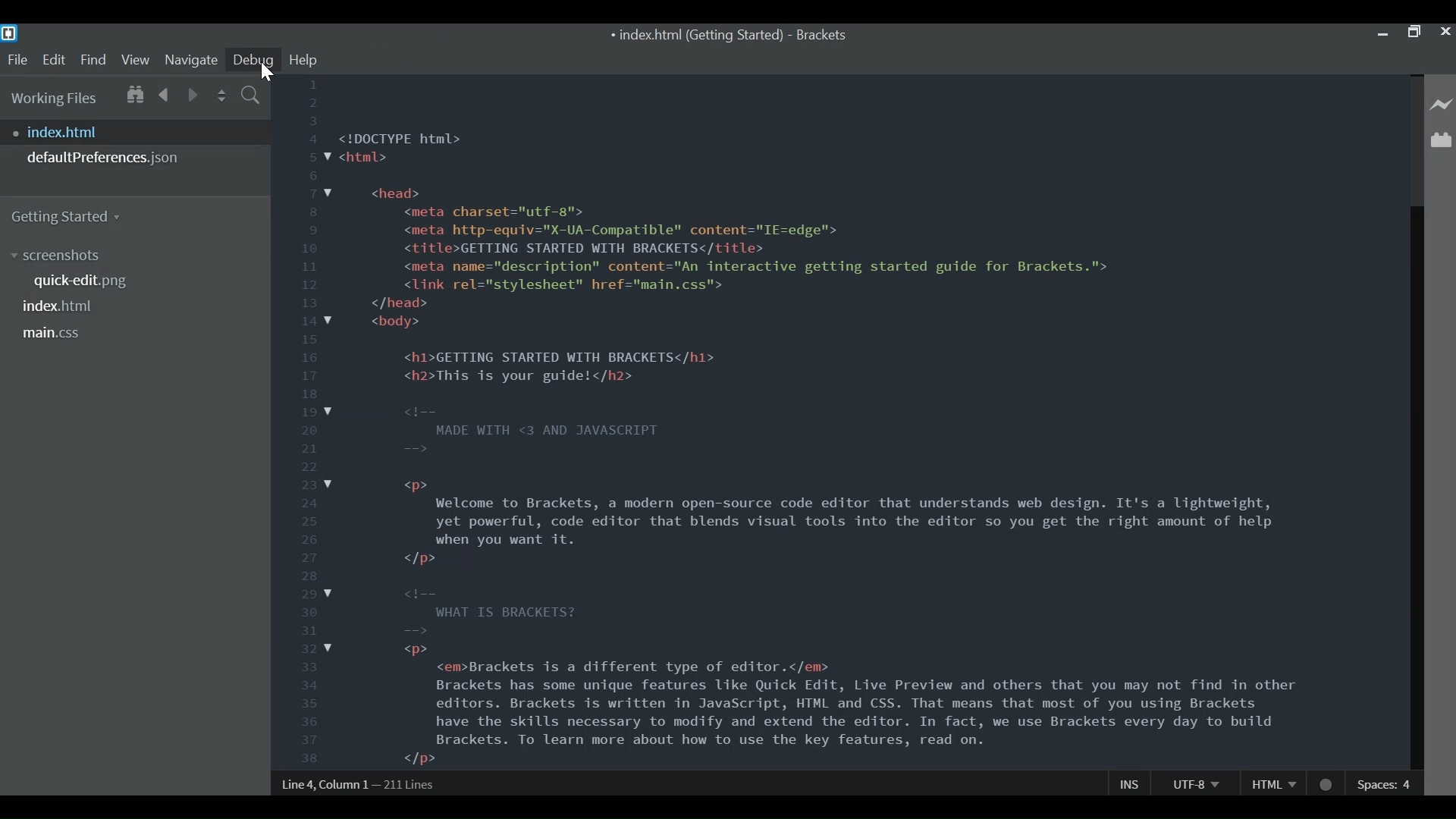 The image size is (1456, 819). Describe the element at coordinates (1327, 785) in the screenshot. I see `No lintel available for HTML` at that location.